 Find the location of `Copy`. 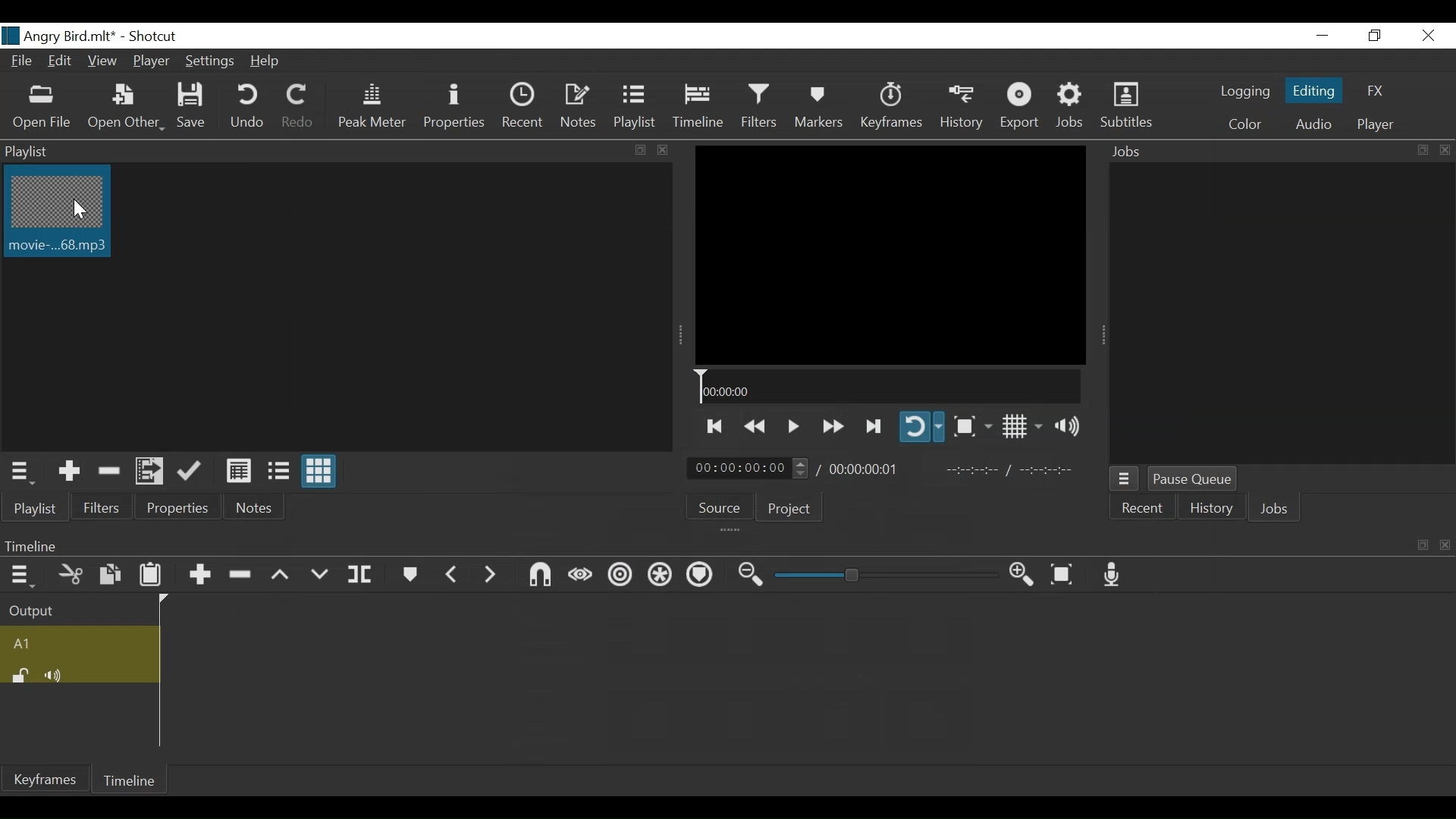

Copy is located at coordinates (110, 574).